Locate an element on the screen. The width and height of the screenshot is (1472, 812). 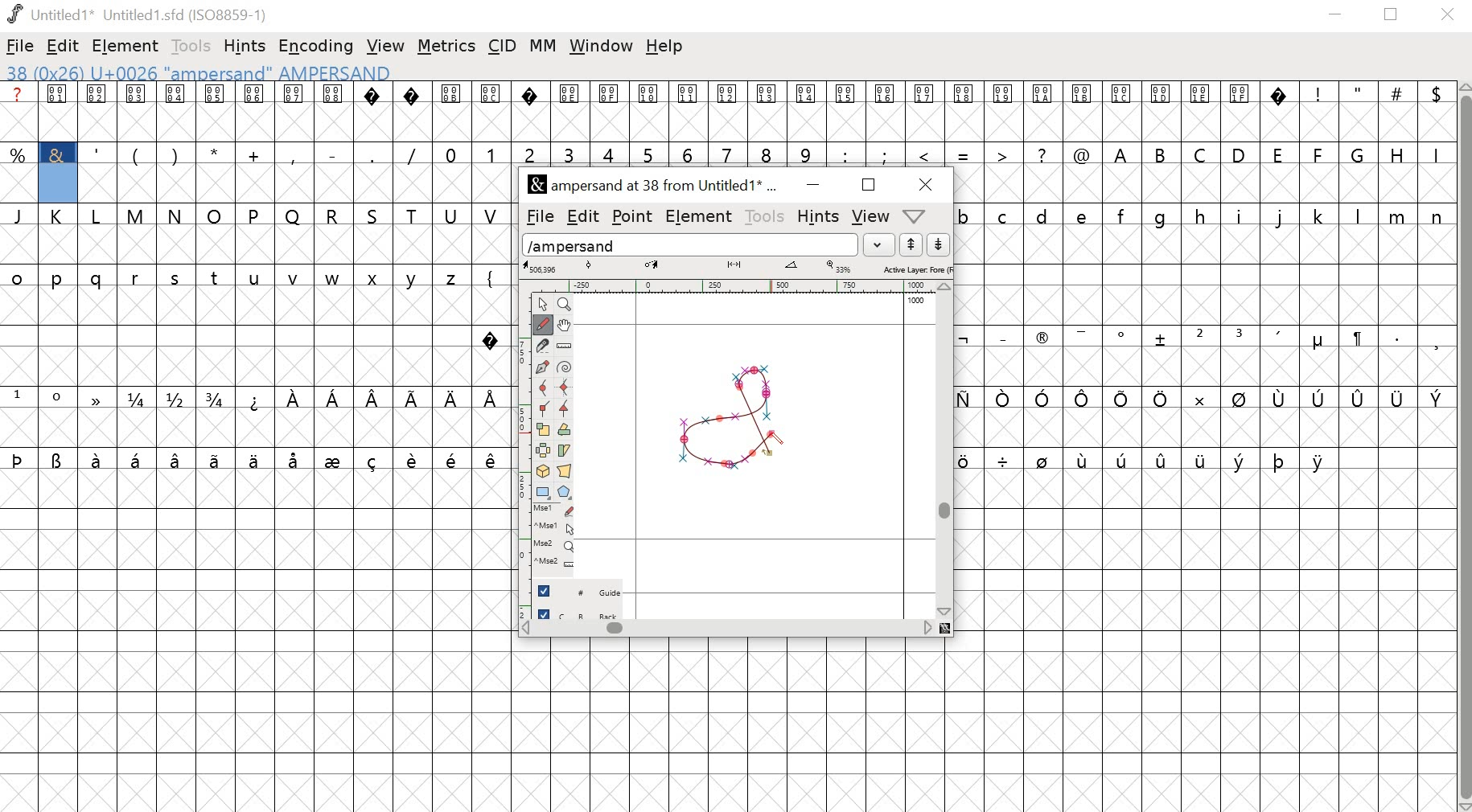
symbol is located at coordinates (1321, 398).